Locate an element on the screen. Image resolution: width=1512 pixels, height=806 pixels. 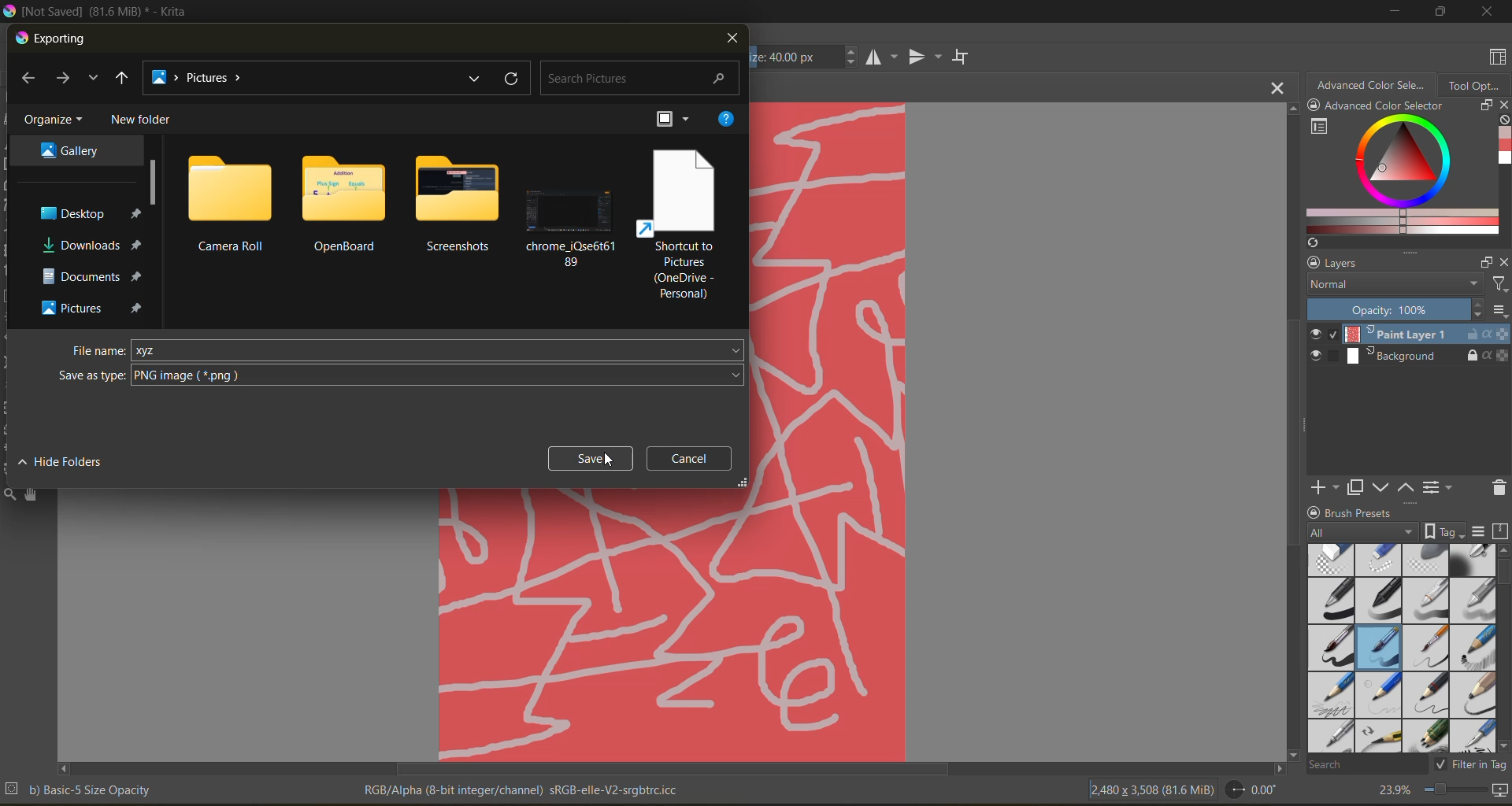
file name and app name is located at coordinates (100, 12).